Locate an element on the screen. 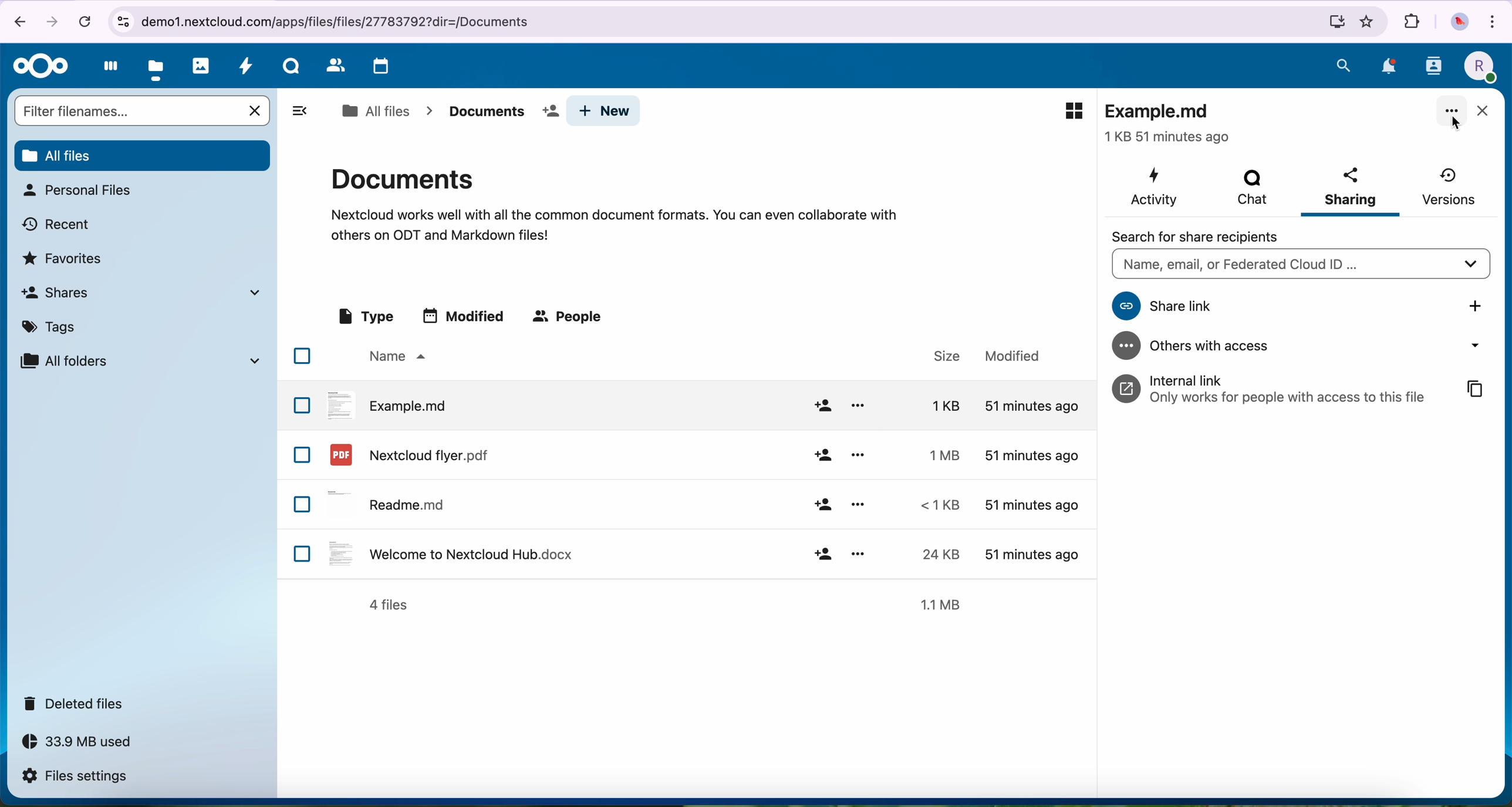 This screenshot has width=1512, height=807. chat is located at coordinates (1252, 185).